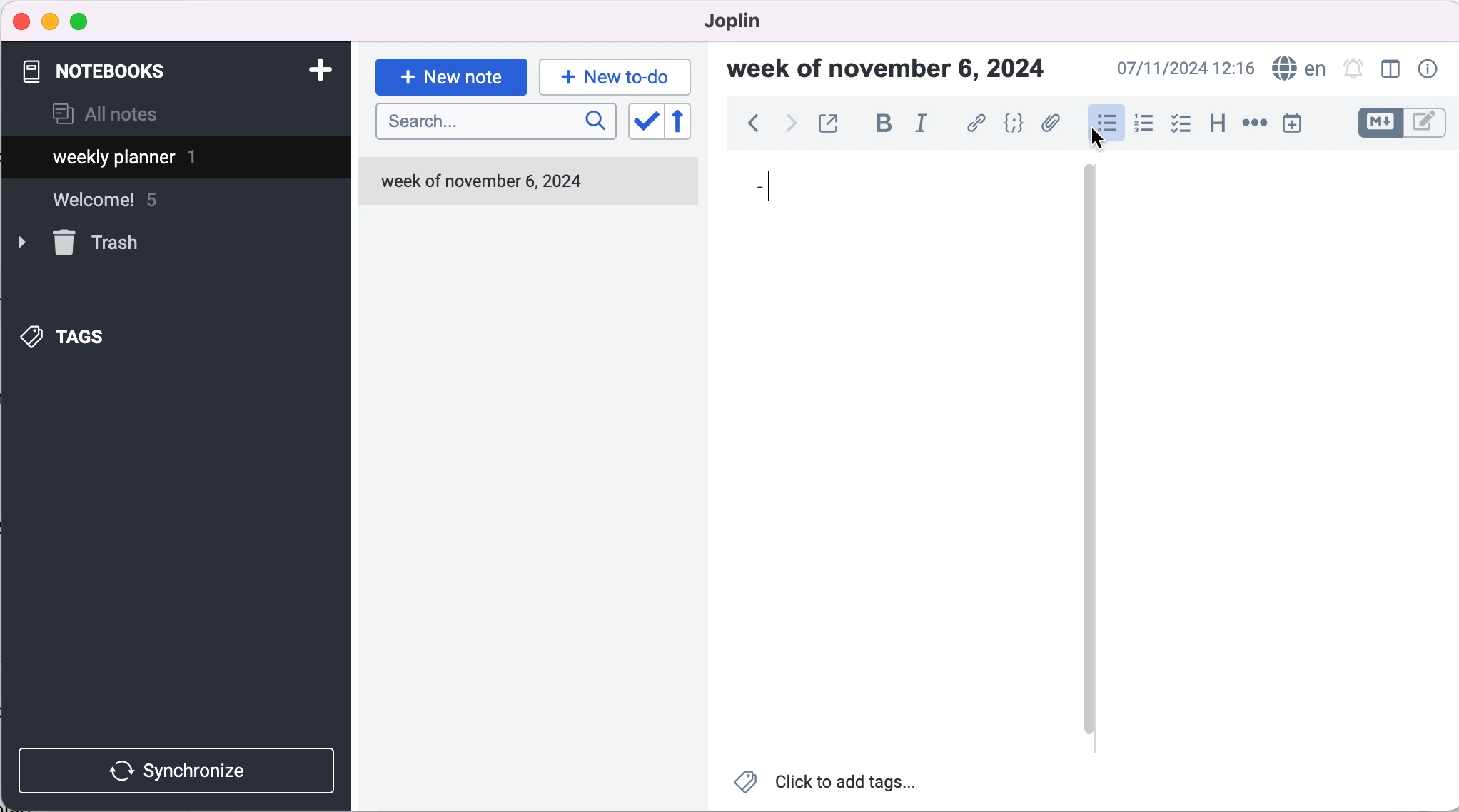 This screenshot has height=812, width=1459. Describe the element at coordinates (105, 116) in the screenshot. I see `all notes` at that location.